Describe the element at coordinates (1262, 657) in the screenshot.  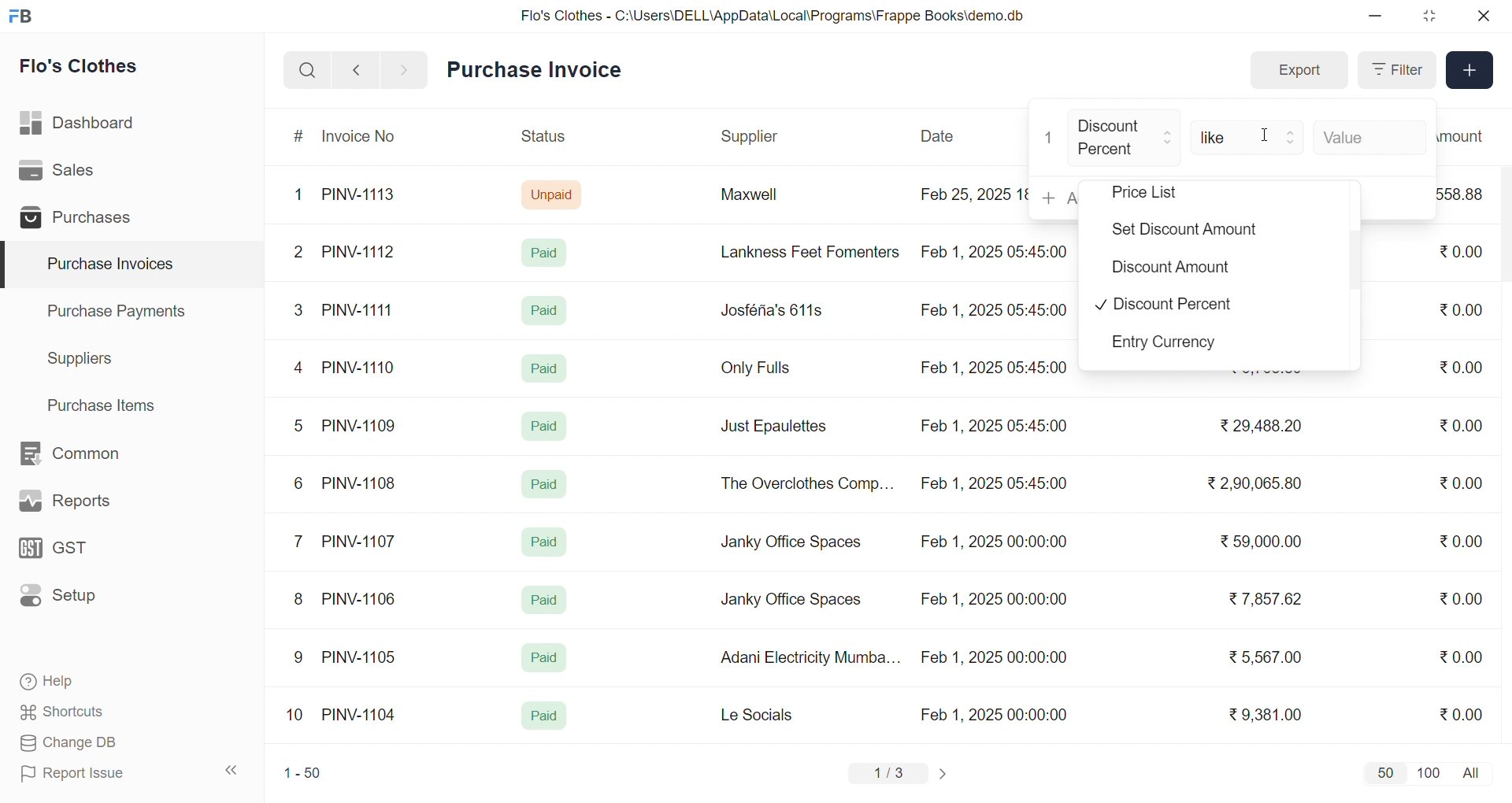
I see `₹ 5,567.00` at that location.